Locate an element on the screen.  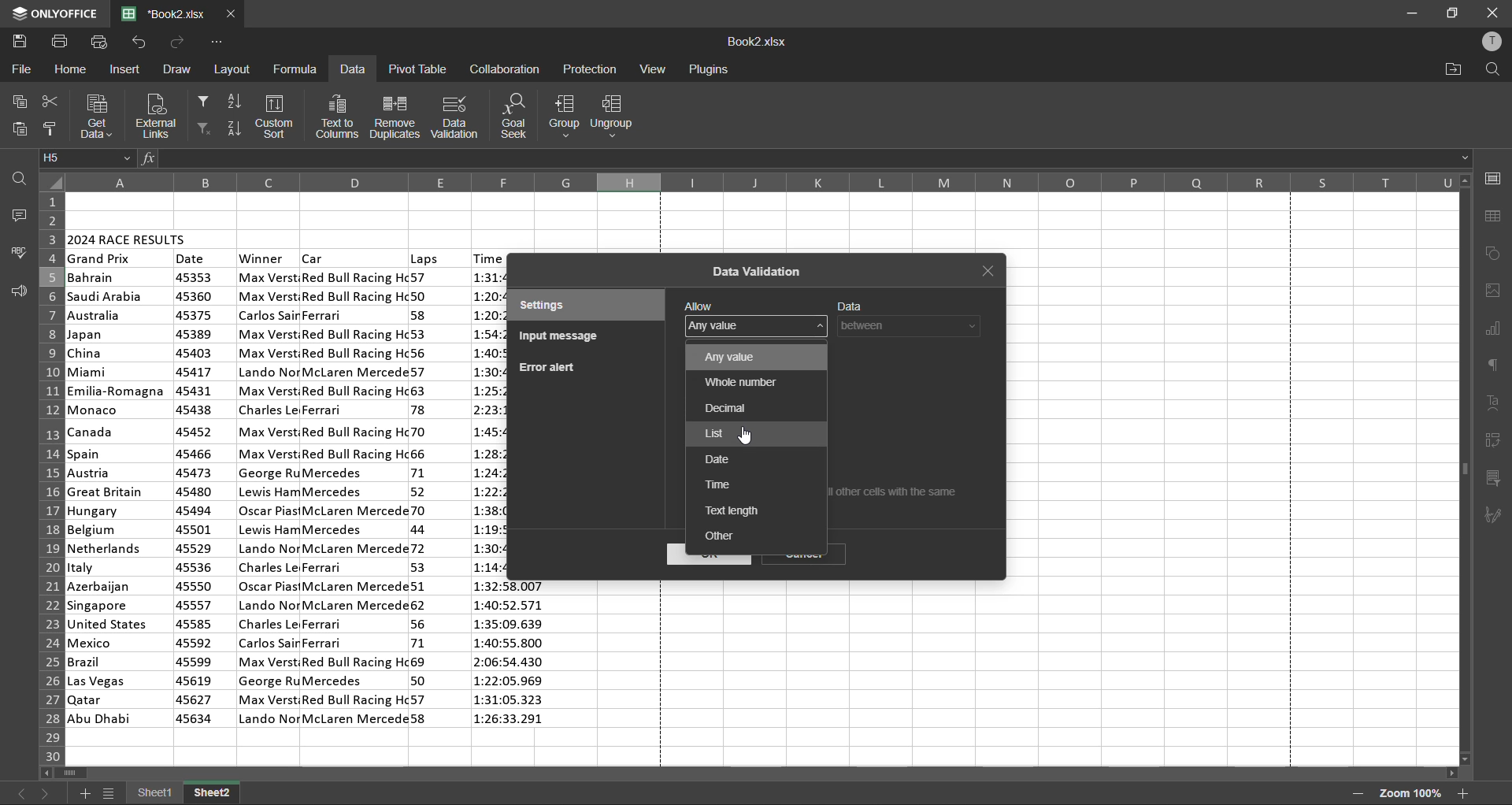
save is located at coordinates (24, 42).